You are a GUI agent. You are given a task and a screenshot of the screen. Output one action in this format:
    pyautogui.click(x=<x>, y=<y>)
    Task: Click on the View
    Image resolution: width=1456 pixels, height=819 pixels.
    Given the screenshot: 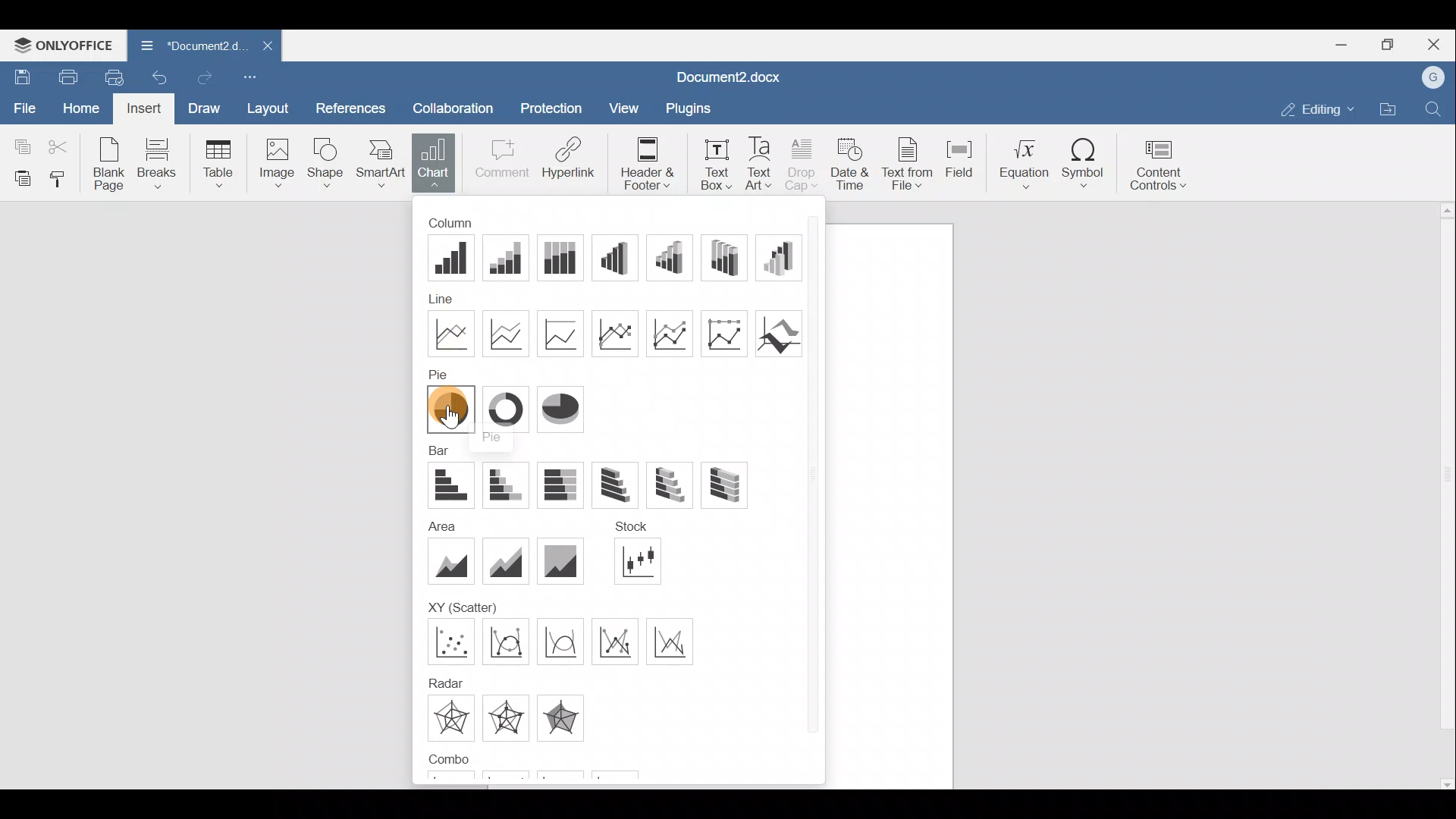 What is the action you would take?
    pyautogui.click(x=625, y=107)
    